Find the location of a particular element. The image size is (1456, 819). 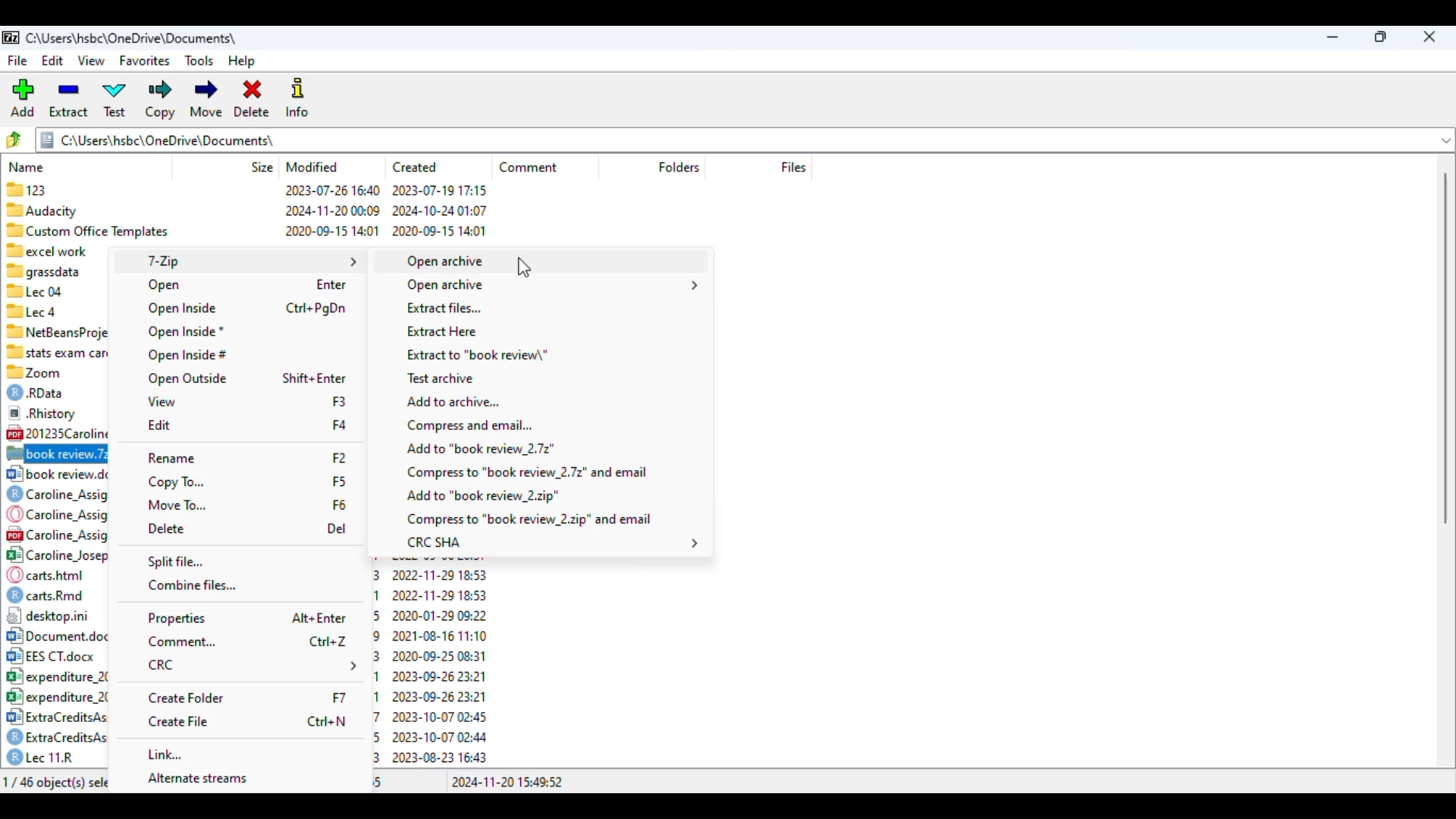

edit is located at coordinates (160, 425).